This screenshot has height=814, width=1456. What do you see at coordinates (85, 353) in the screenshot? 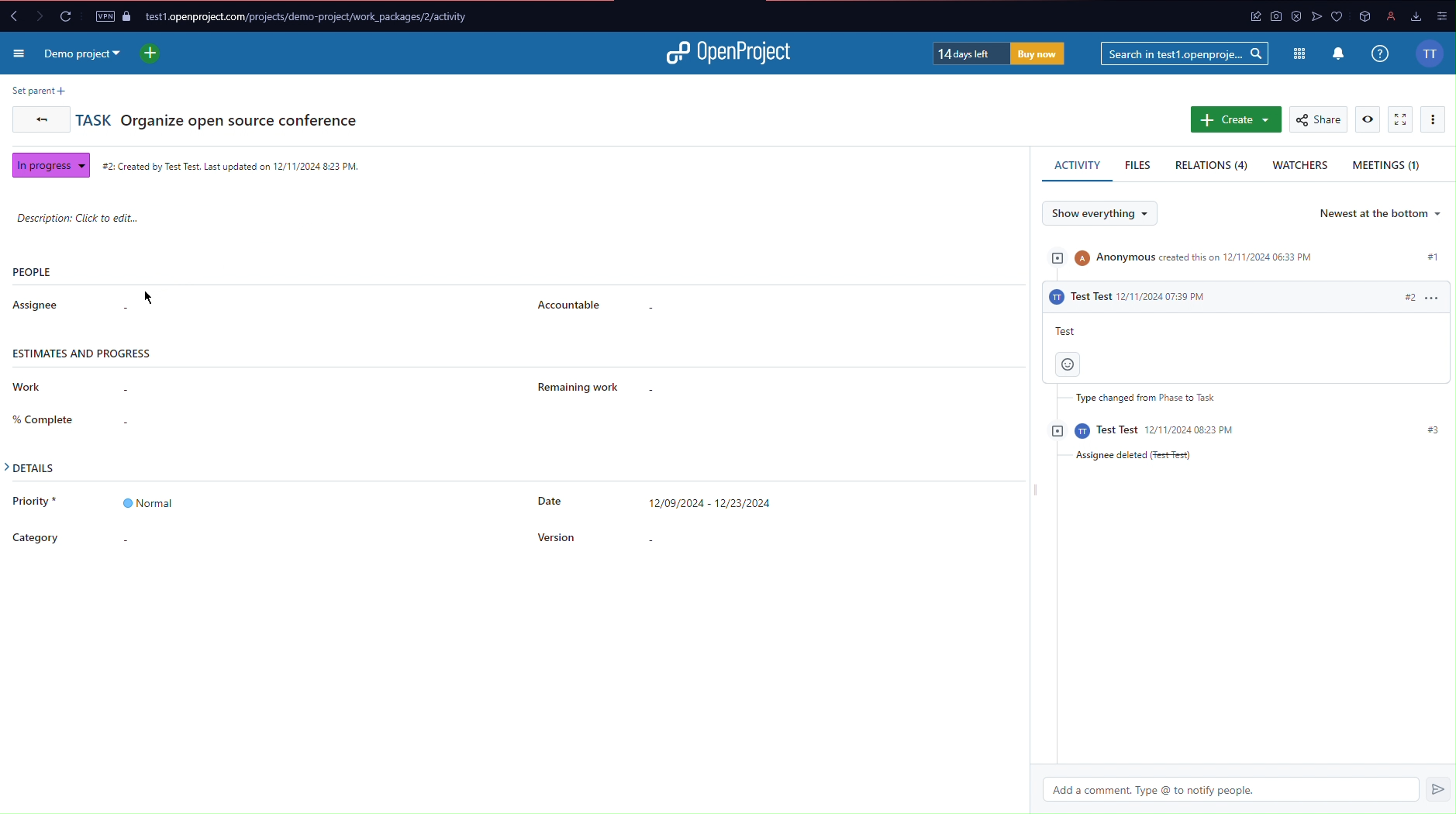
I see `Estimates and progress` at bounding box center [85, 353].